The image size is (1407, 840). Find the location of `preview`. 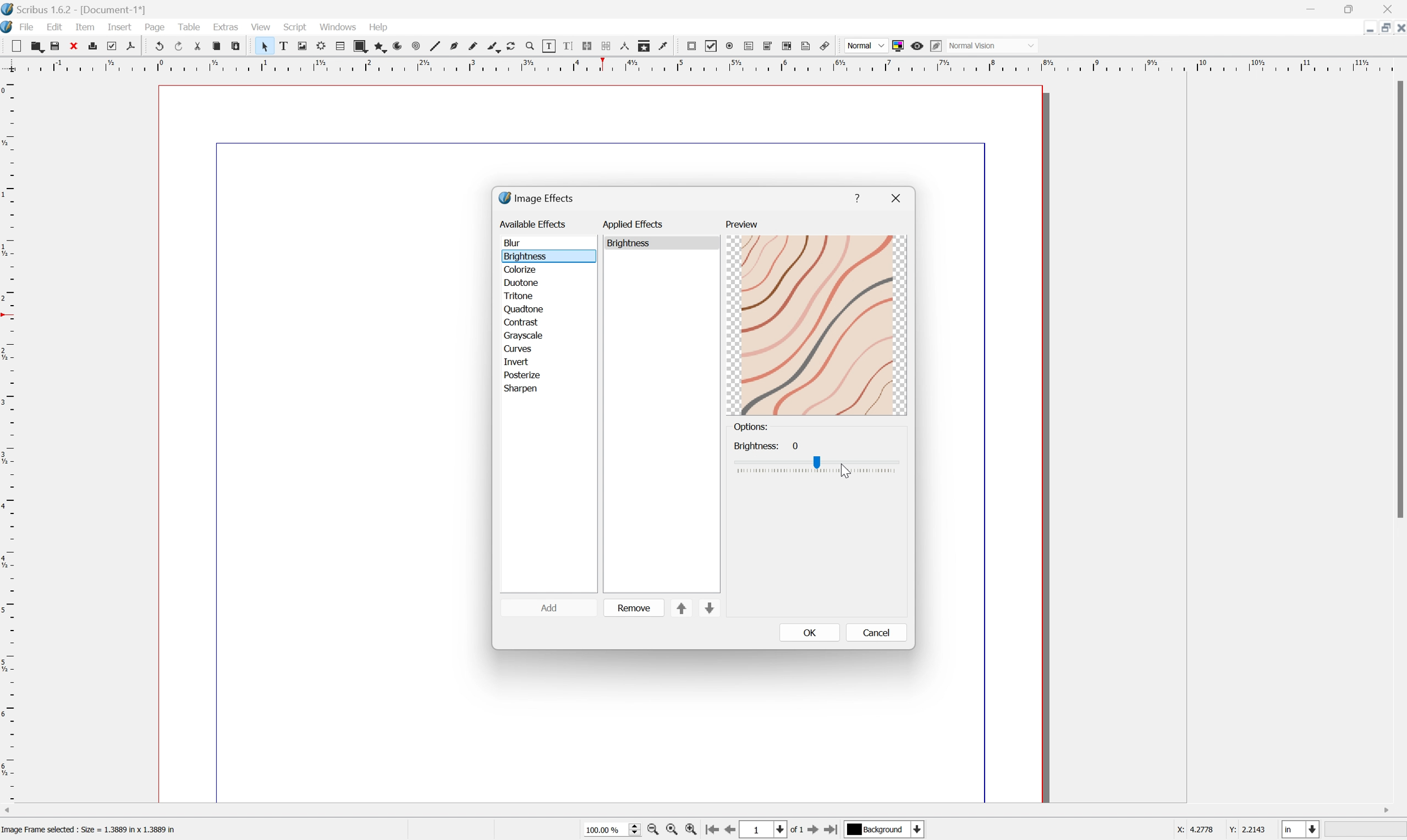

preview is located at coordinates (816, 327).